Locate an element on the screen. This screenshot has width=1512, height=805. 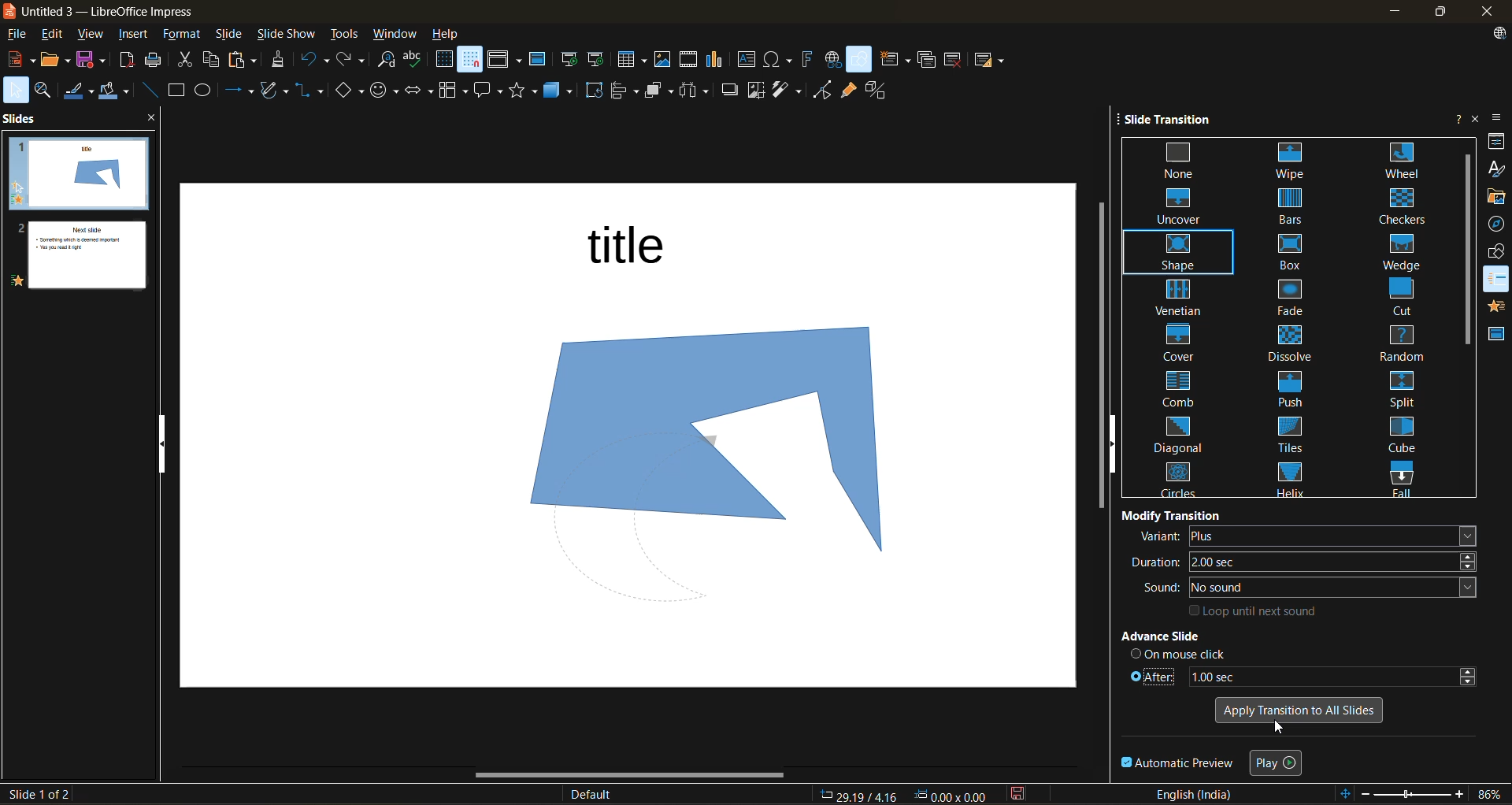
help on sidebar deck is located at coordinates (1455, 118).